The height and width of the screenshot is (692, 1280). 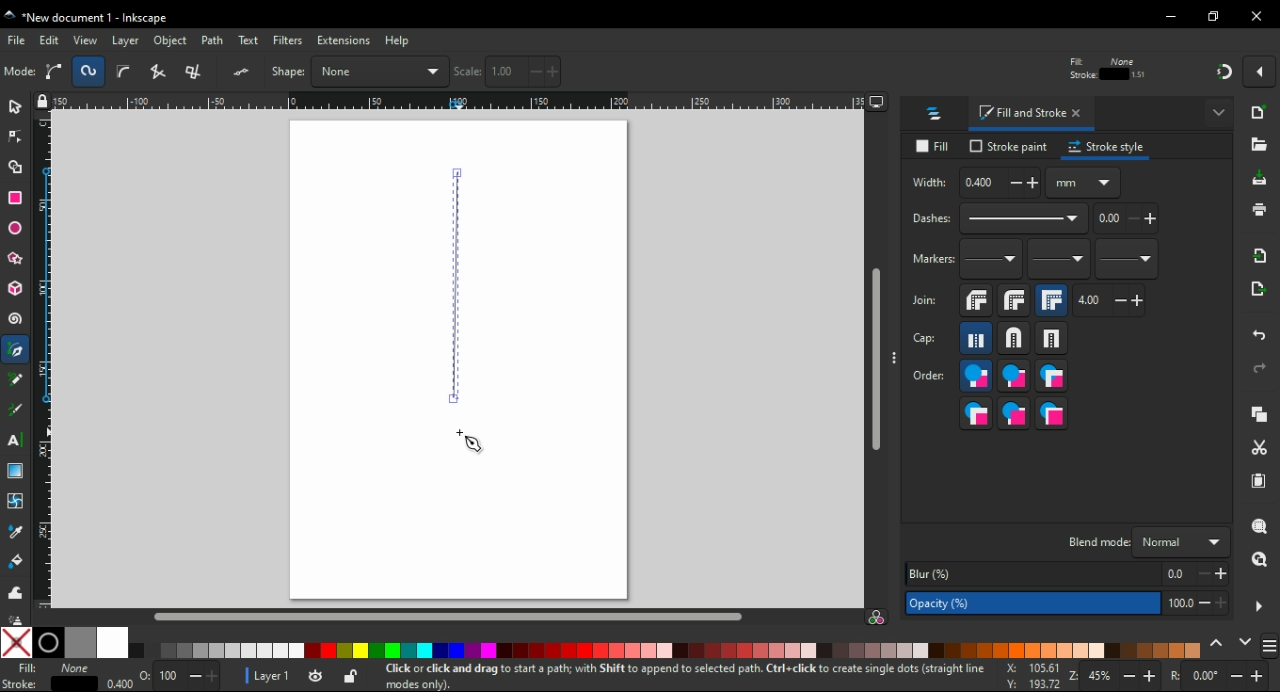 I want to click on color tone pallete, so click(x=403, y=651).